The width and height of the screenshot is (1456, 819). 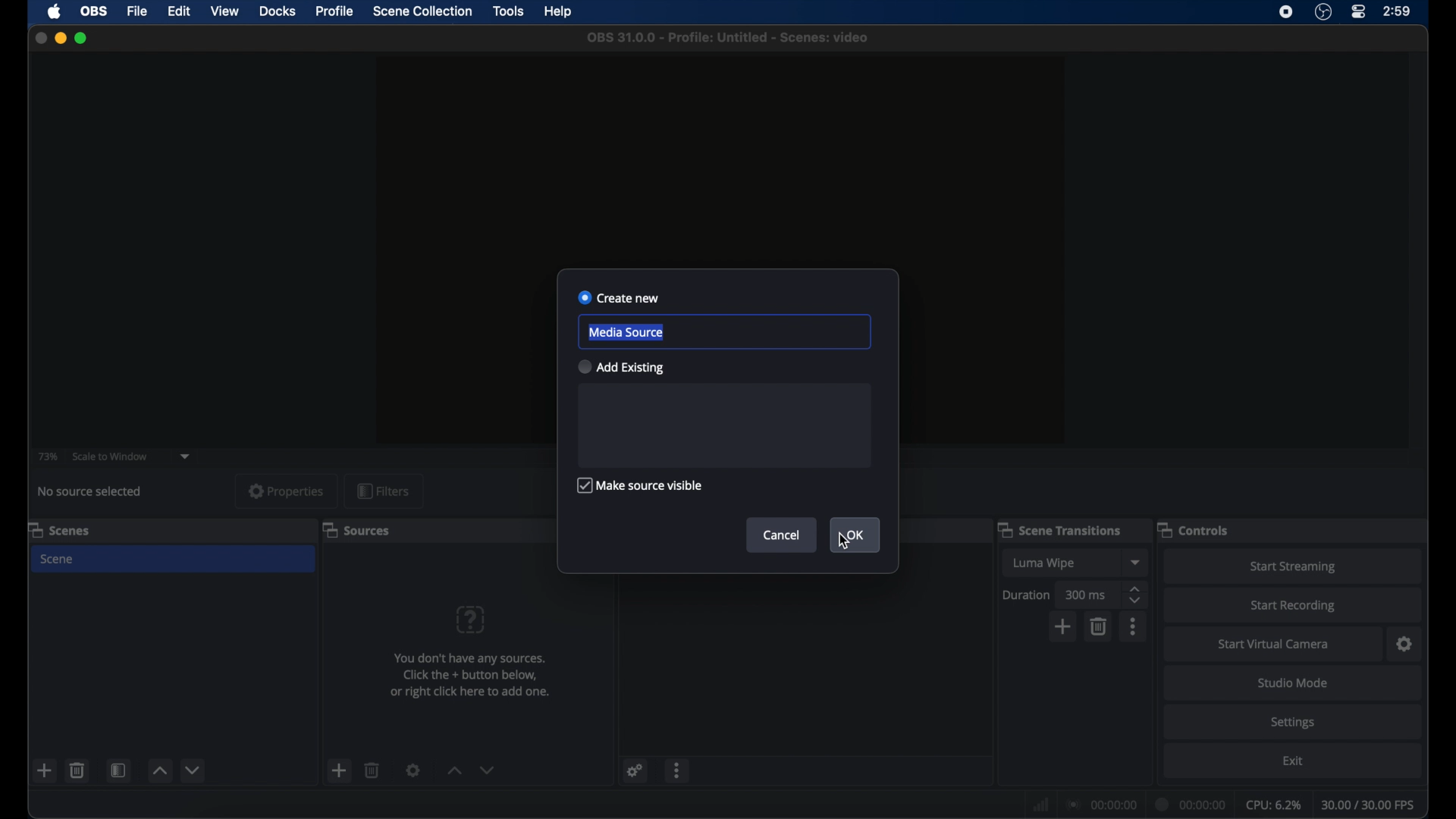 I want to click on duration, so click(x=1191, y=805).